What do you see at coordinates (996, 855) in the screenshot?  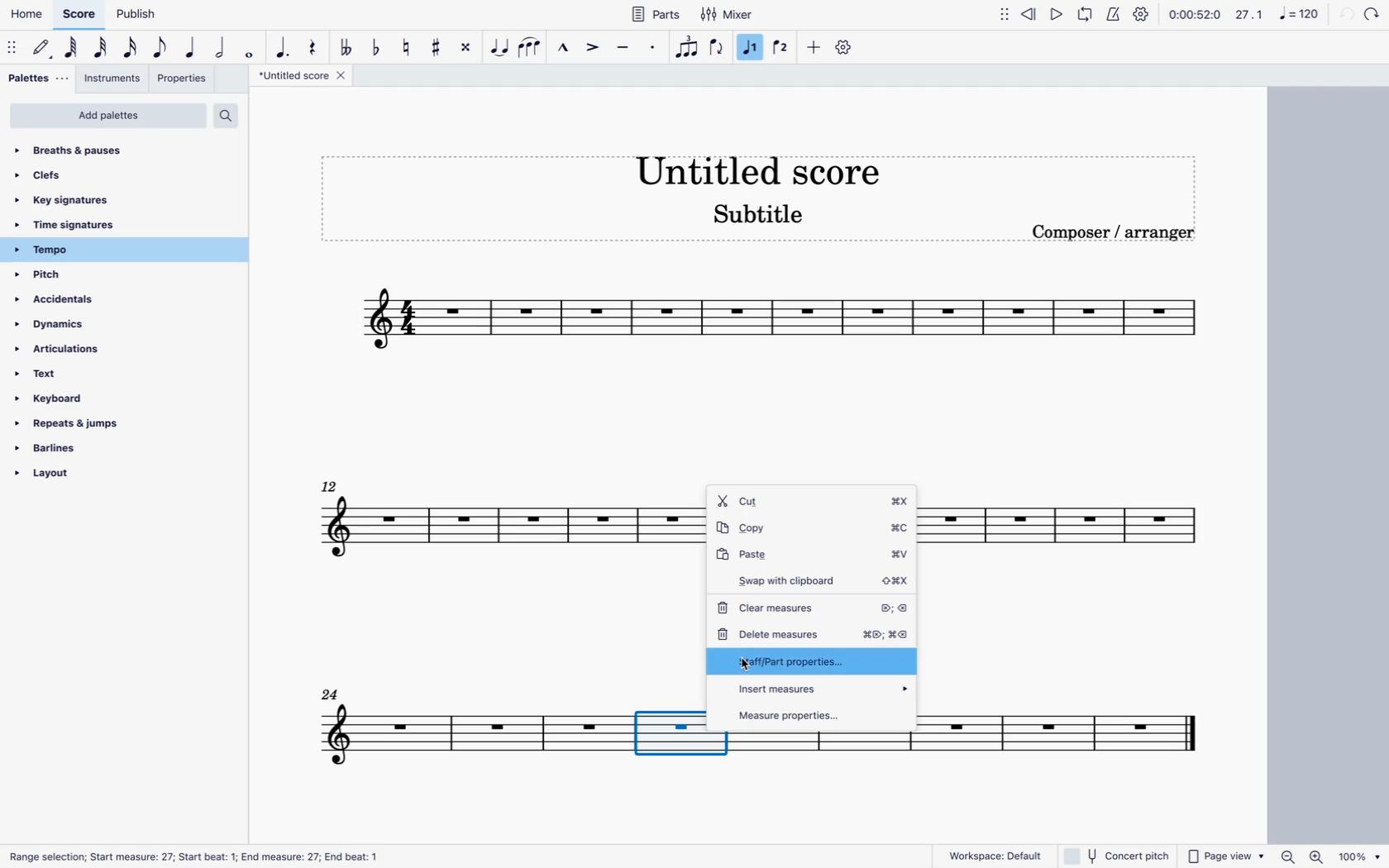 I see `workspace` at bounding box center [996, 855].